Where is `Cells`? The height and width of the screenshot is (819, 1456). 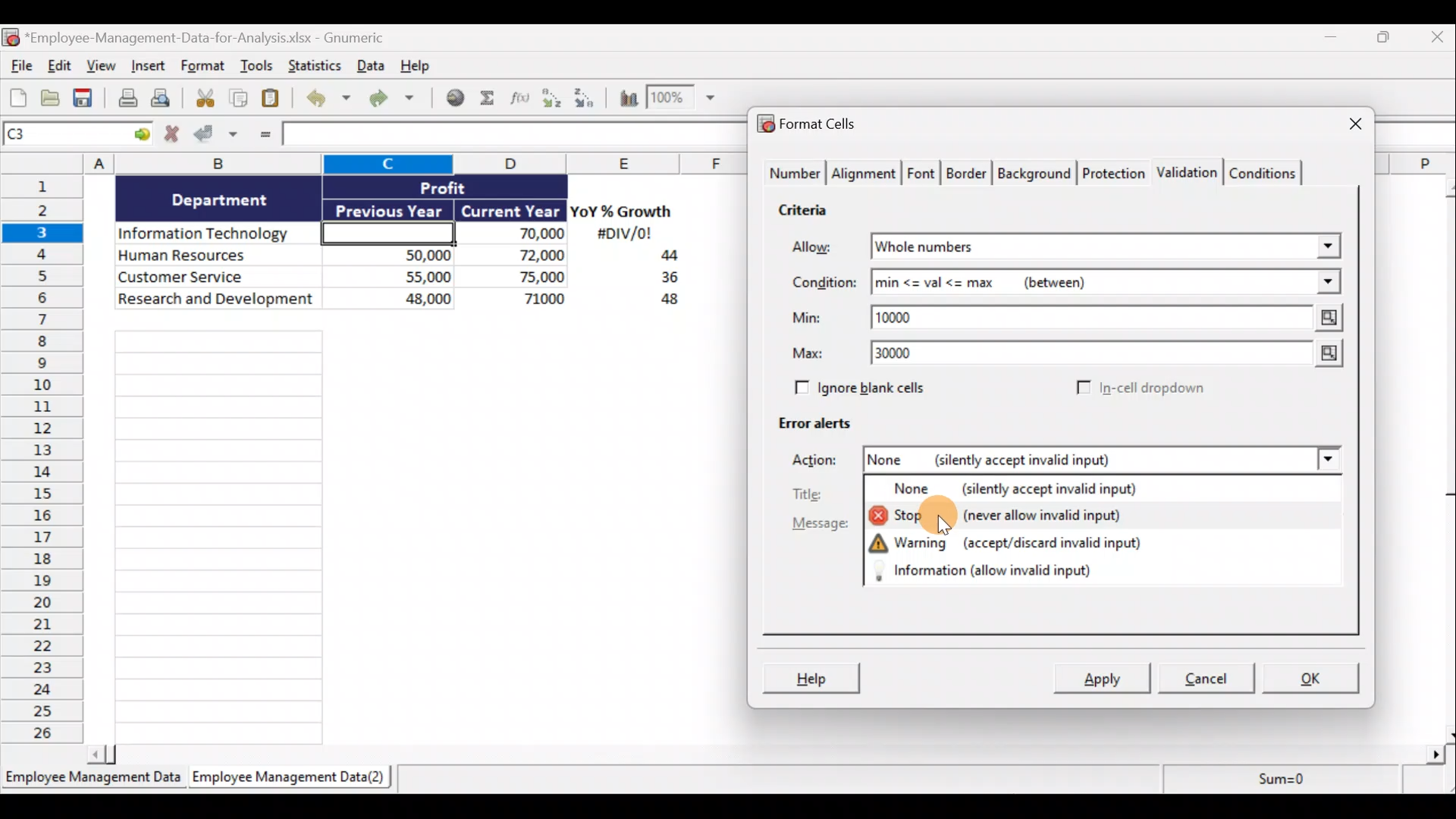 Cells is located at coordinates (408, 531).